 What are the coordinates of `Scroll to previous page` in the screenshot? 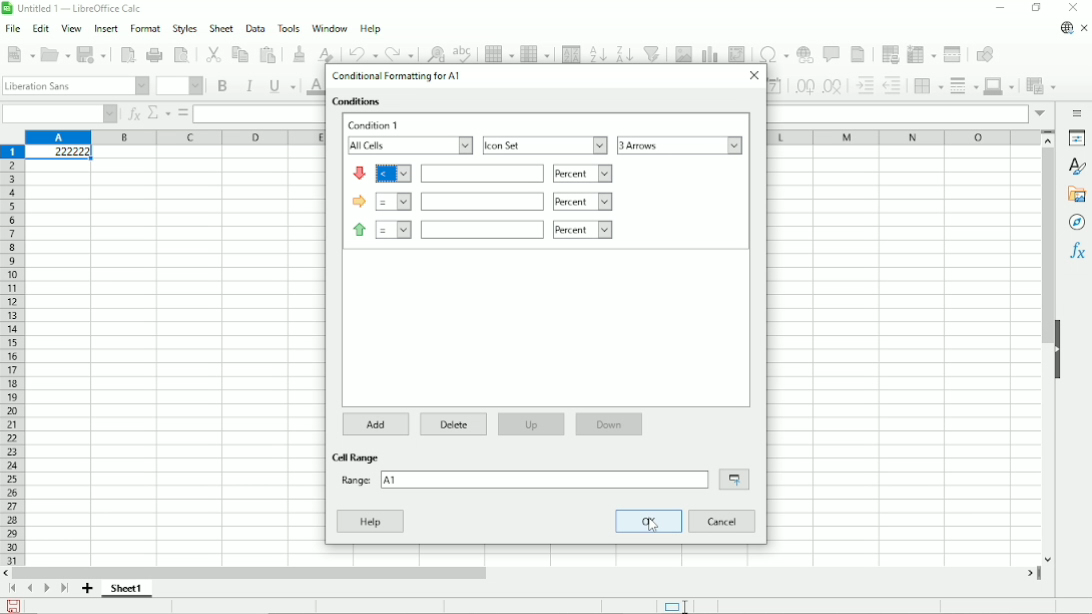 It's located at (30, 588).